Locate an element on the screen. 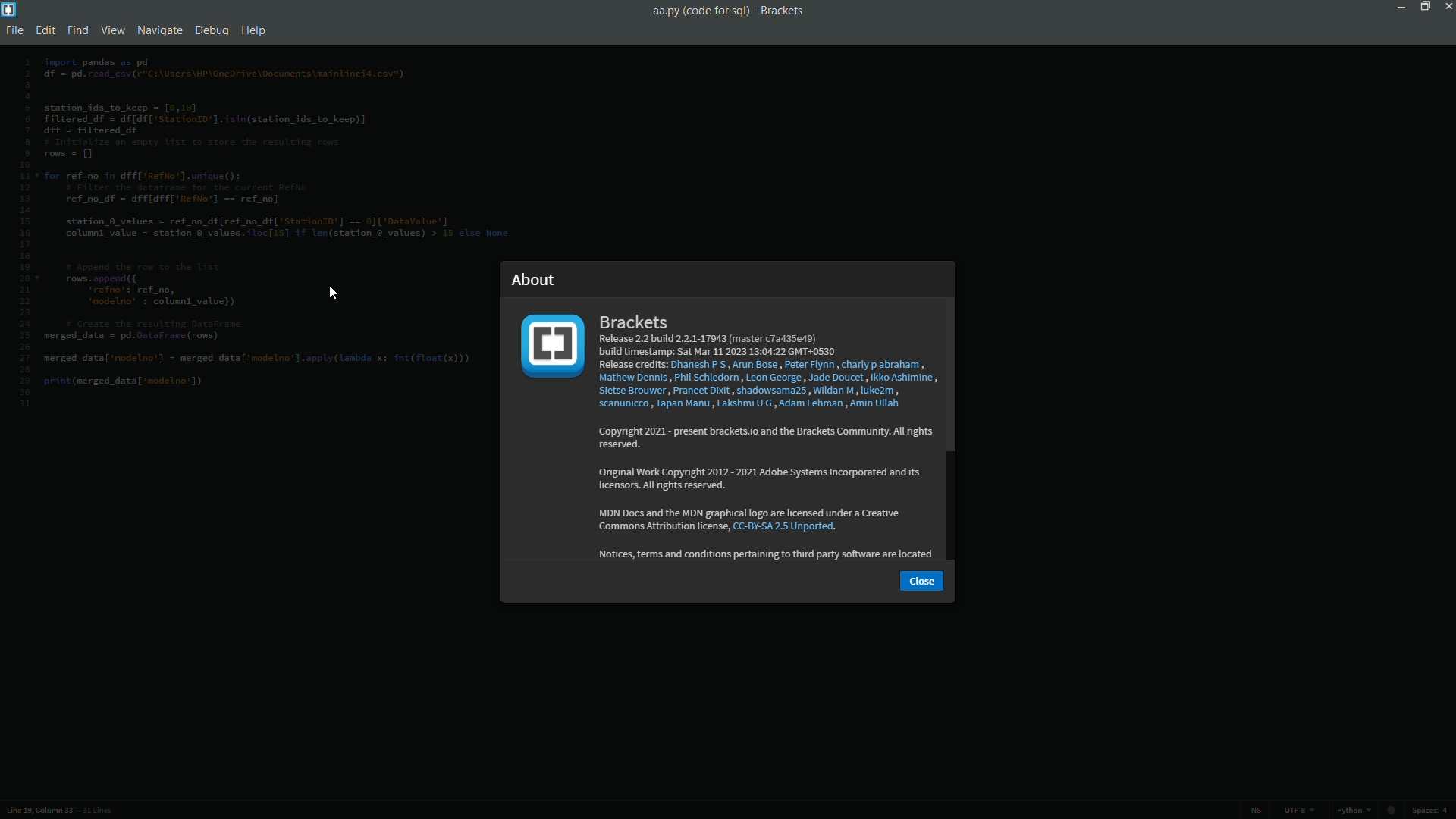  line numbers is located at coordinates (23, 234).